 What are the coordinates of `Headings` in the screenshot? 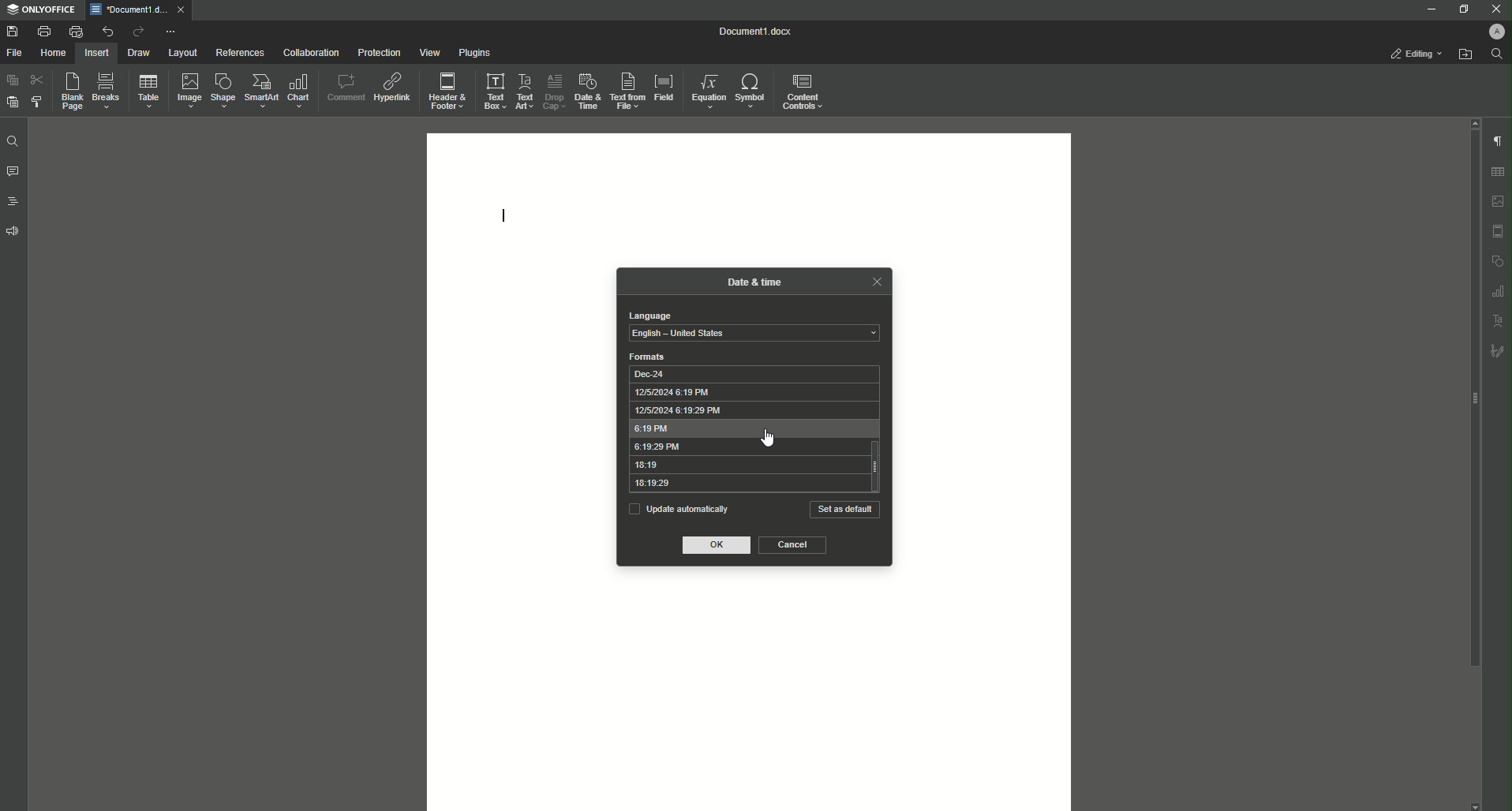 It's located at (12, 200).